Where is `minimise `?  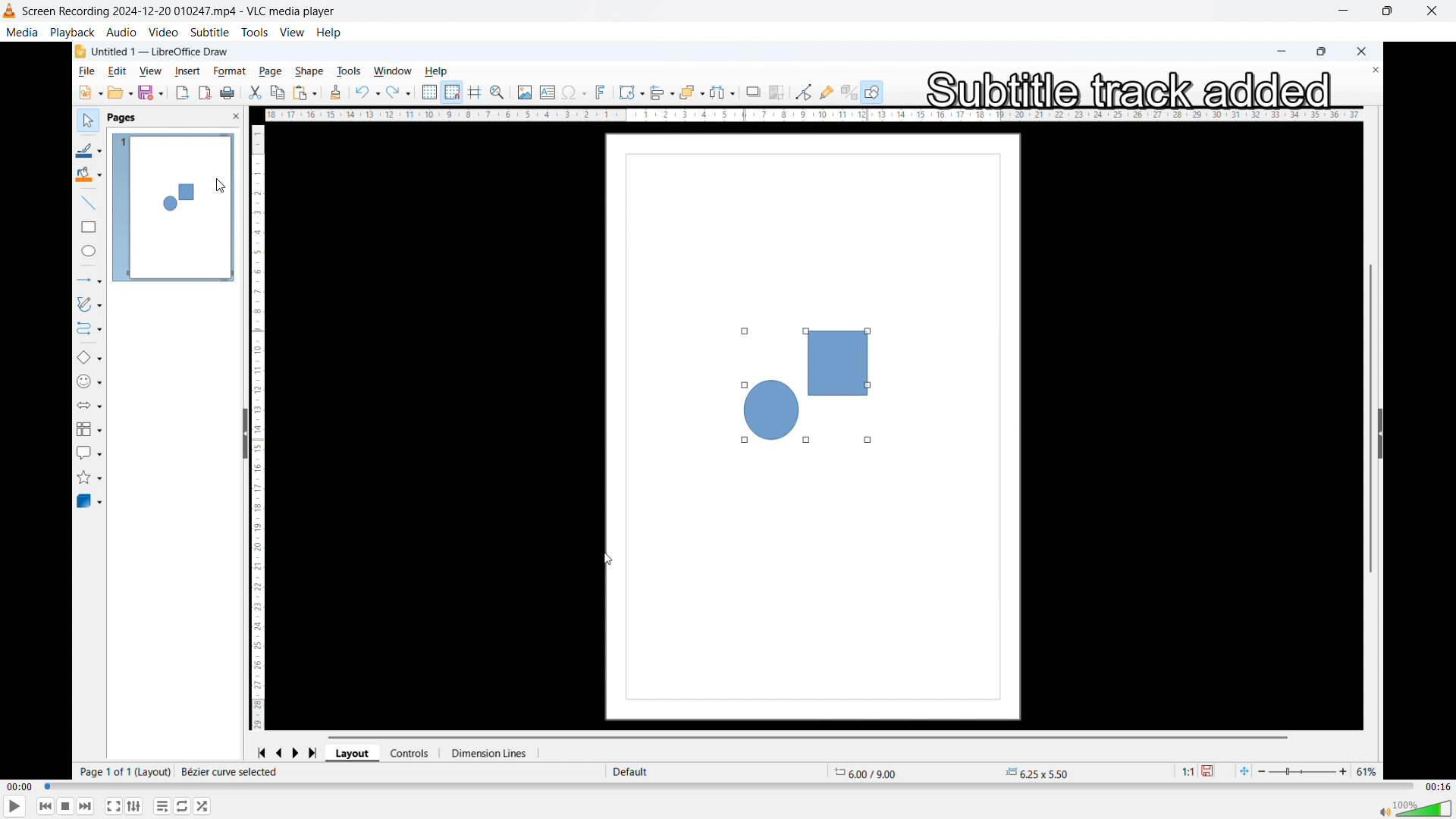 minimise  is located at coordinates (1341, 12).